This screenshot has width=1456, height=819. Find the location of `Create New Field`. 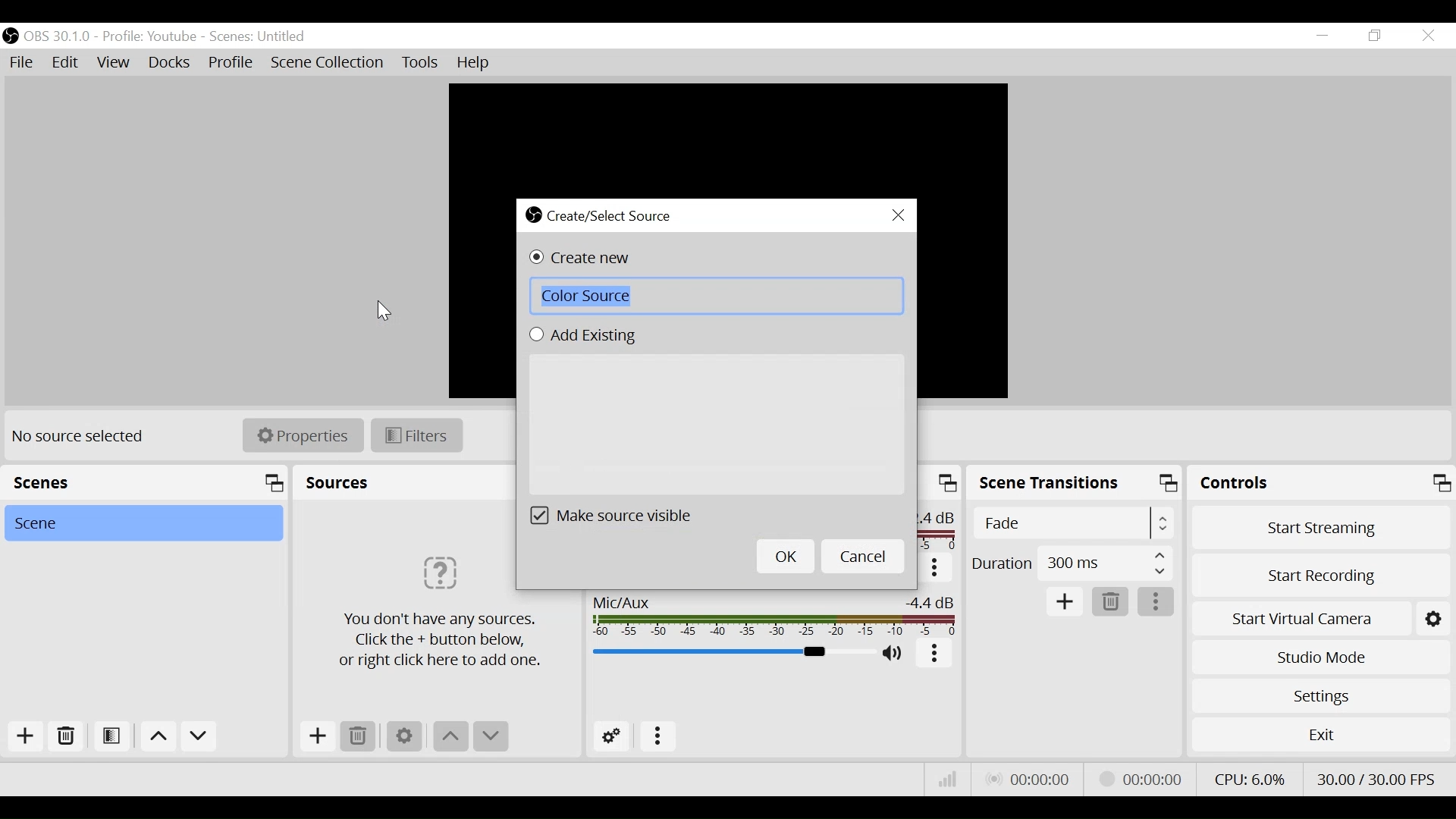

Create New Field is located at coordinates (716, 296).